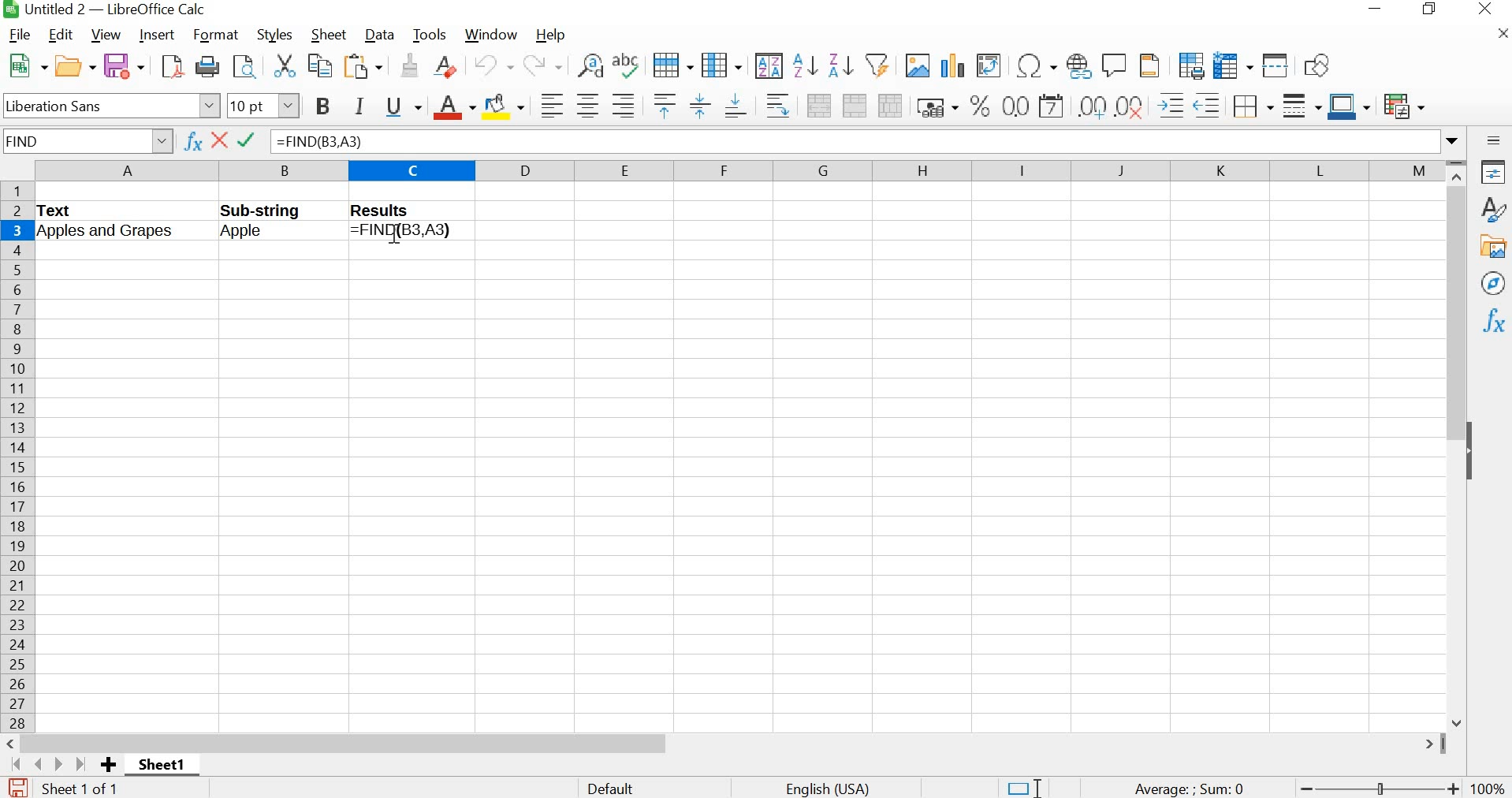 This screenshot has height=798, width=1512. Describe the element at coordinates (624, 106) in the screenshot. I see `align right` at that location.